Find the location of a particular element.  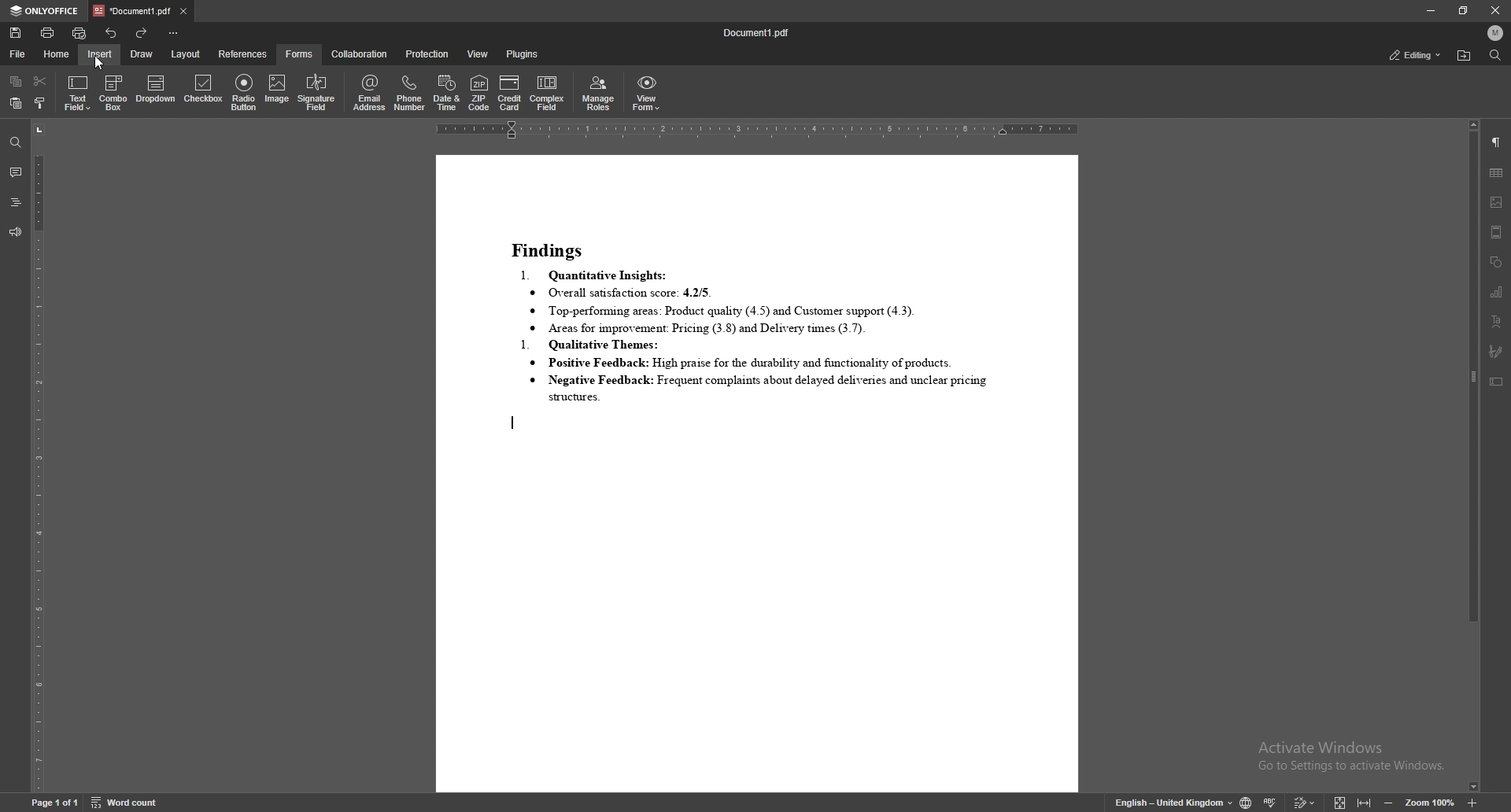

manage roles is located at coordinates (598, 93).